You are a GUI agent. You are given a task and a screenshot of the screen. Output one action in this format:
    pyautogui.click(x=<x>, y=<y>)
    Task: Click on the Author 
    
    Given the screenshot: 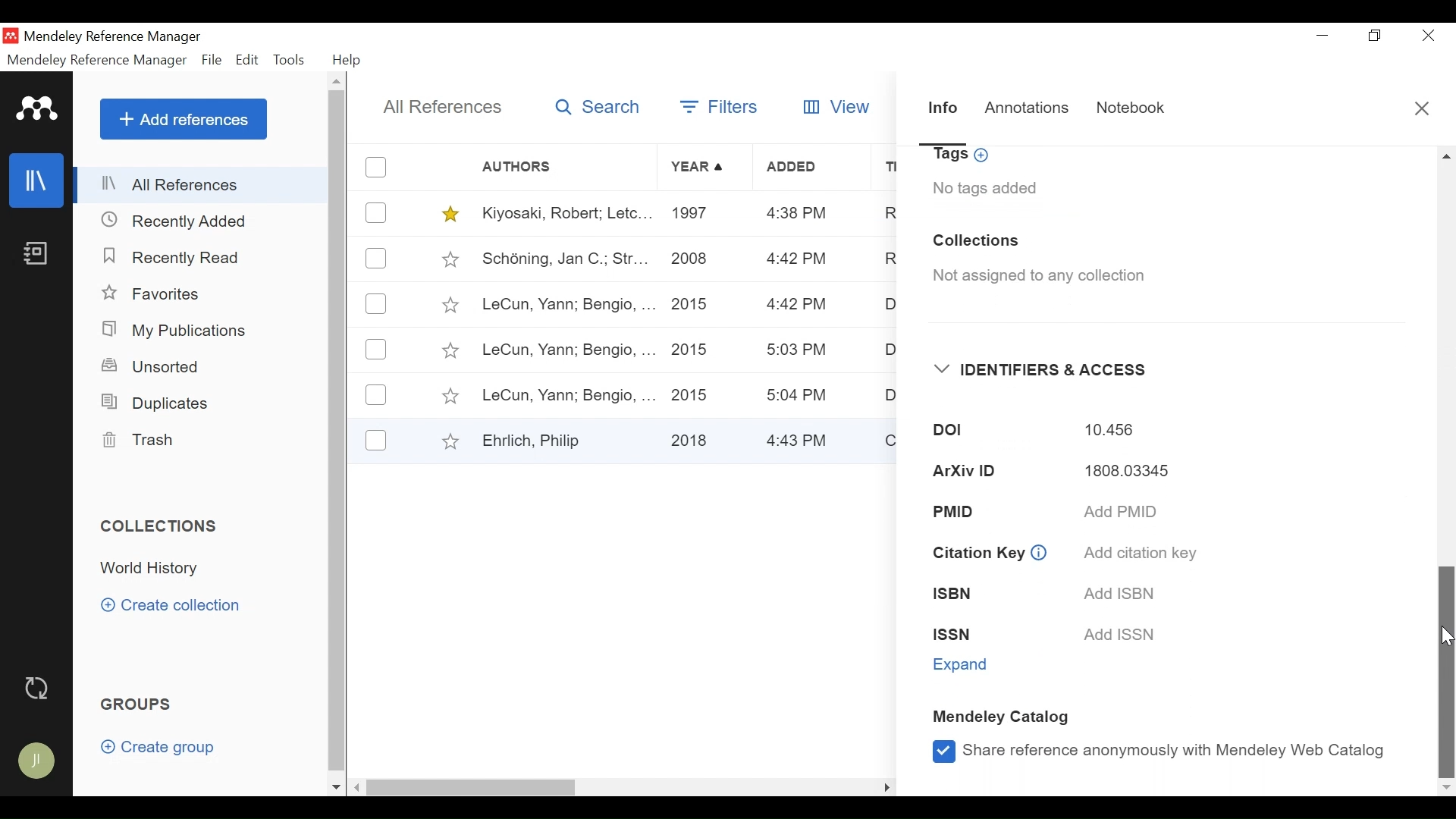 What is the action you would take?
    pyautogui.click(x=567, y=167)
    